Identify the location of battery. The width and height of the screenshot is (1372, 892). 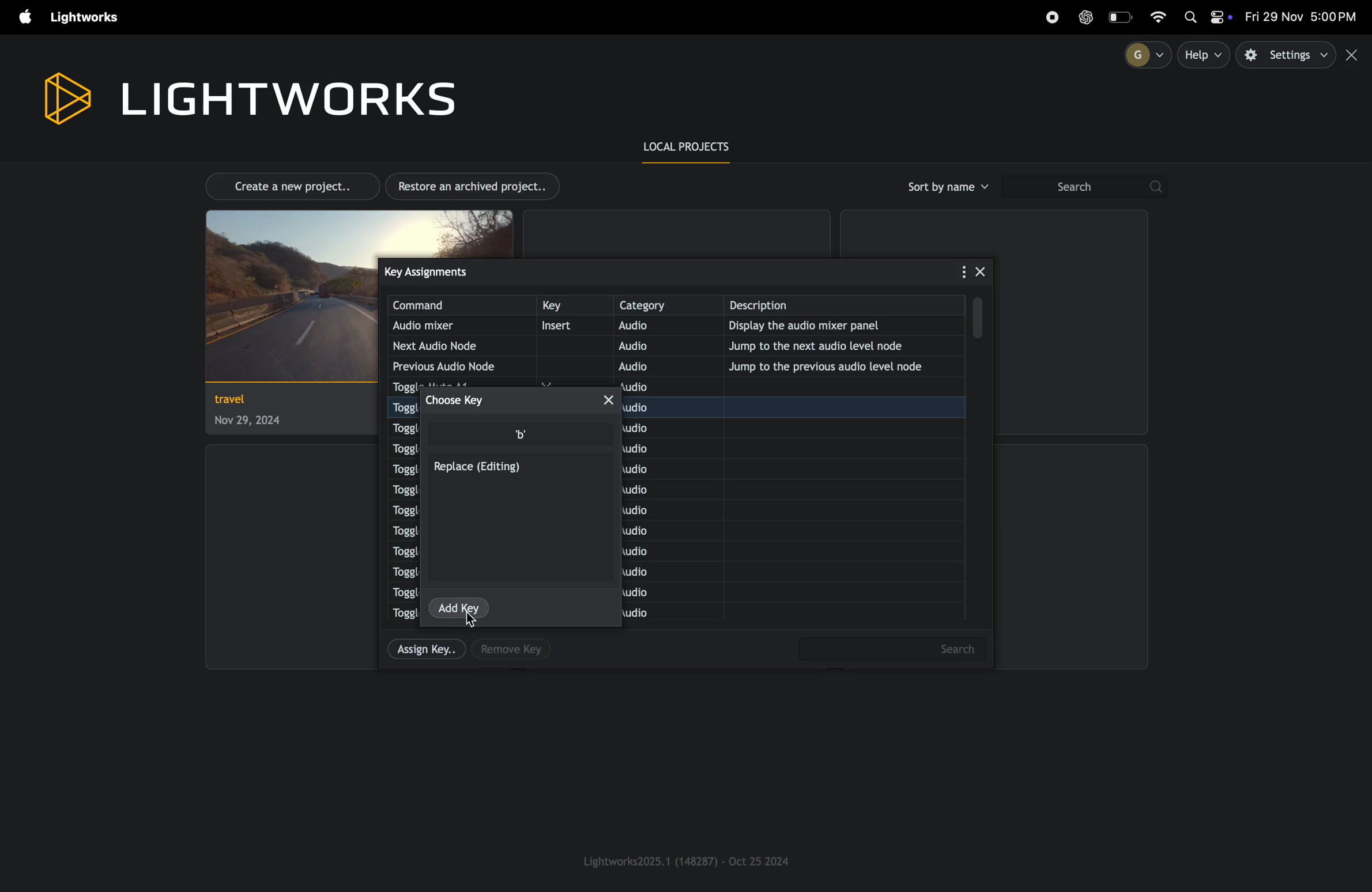
(1122, 17).